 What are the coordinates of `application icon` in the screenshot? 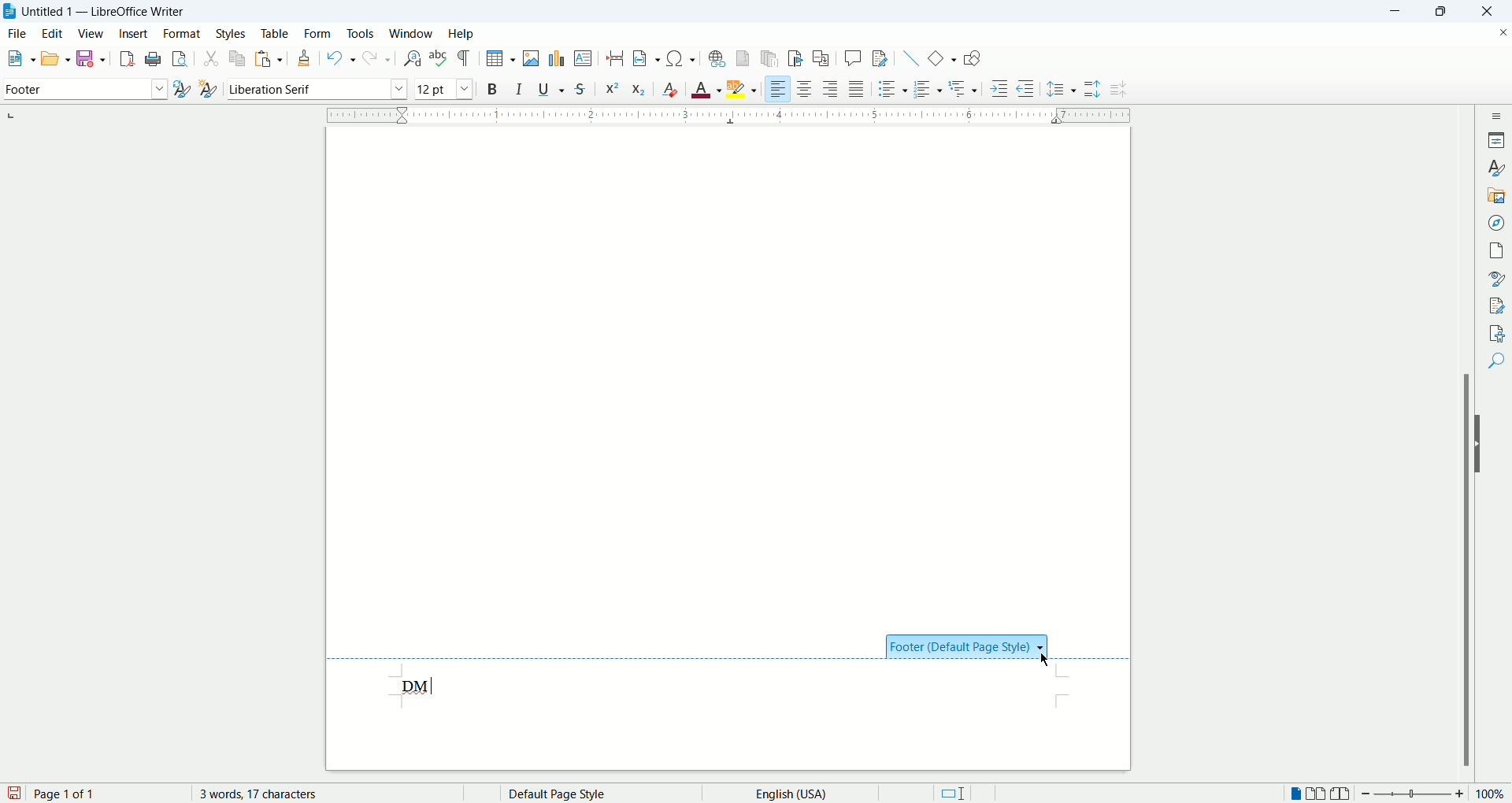 It's located at (10, 12).